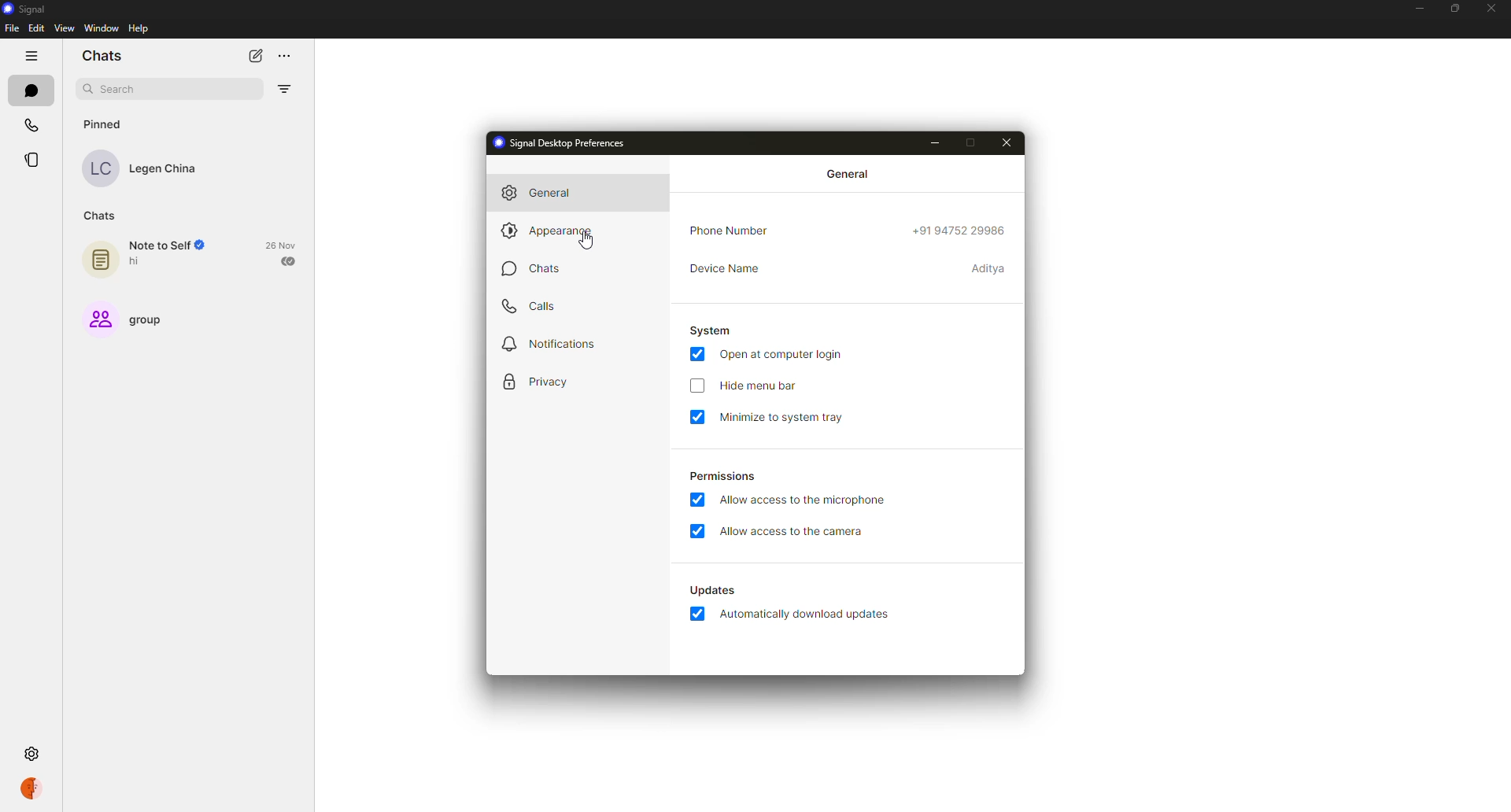  Describe the element at coordinates (116, 90) in the screenshot. I see `search` at that location.